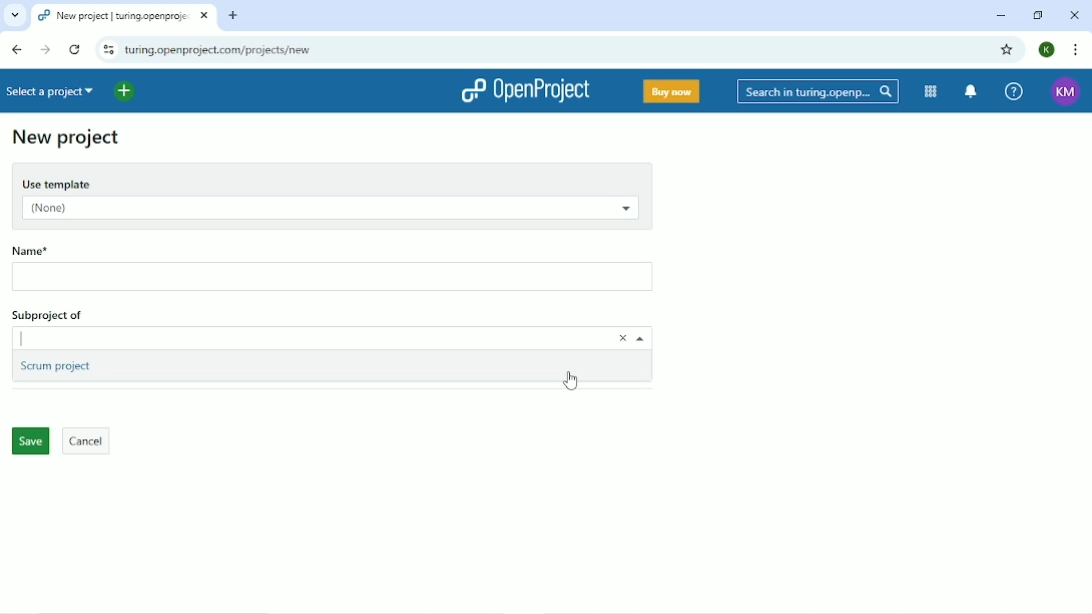 The height and width of the screenshot is (614, 1092). What do you see at coordinates (1066, 92) in the screenshot?
I see `KM` at bounding box center [1066, 92].